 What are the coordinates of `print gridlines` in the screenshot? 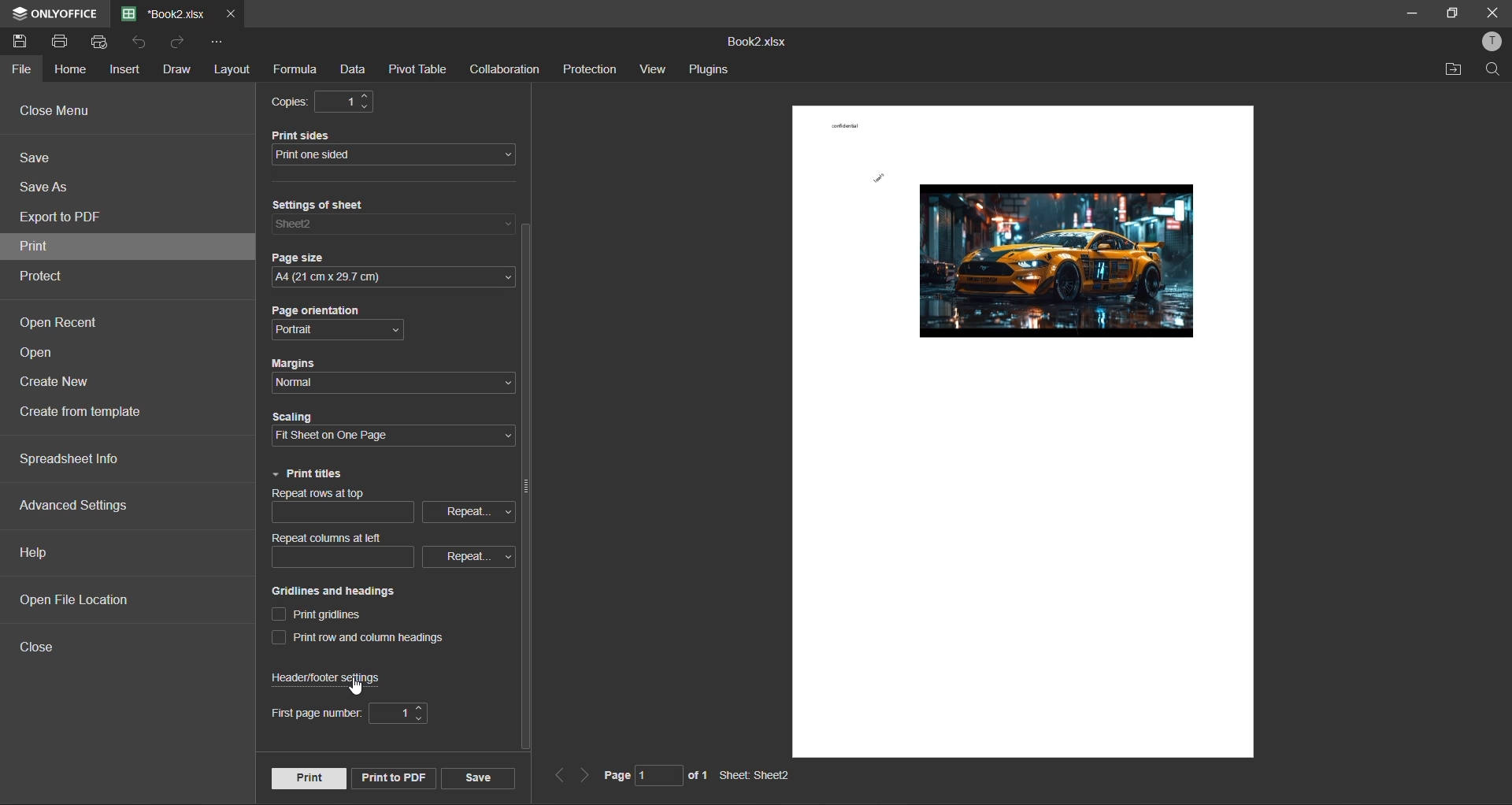 It's located at (318, 616).